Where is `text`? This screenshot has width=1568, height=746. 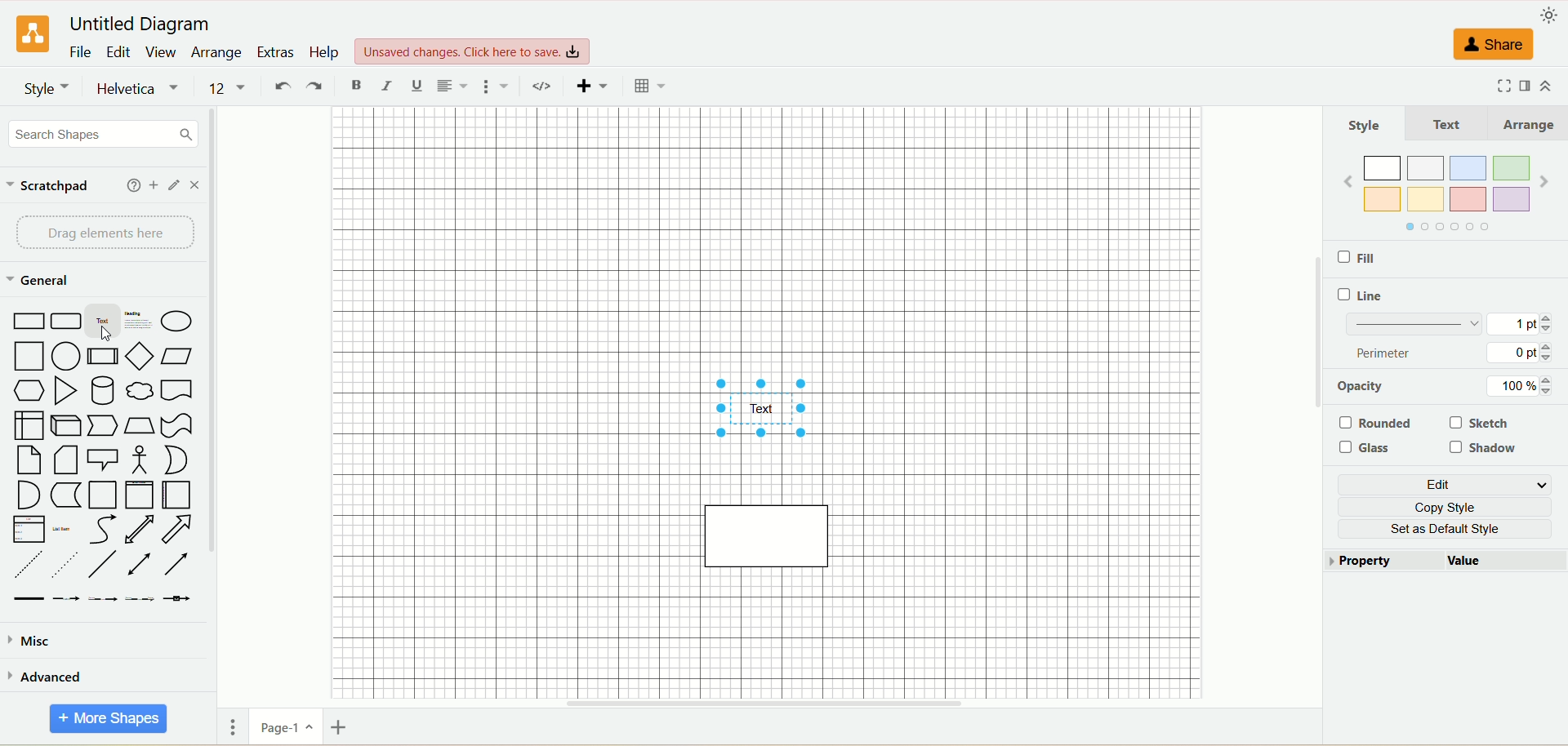
text is located at coordinates (103, 322).